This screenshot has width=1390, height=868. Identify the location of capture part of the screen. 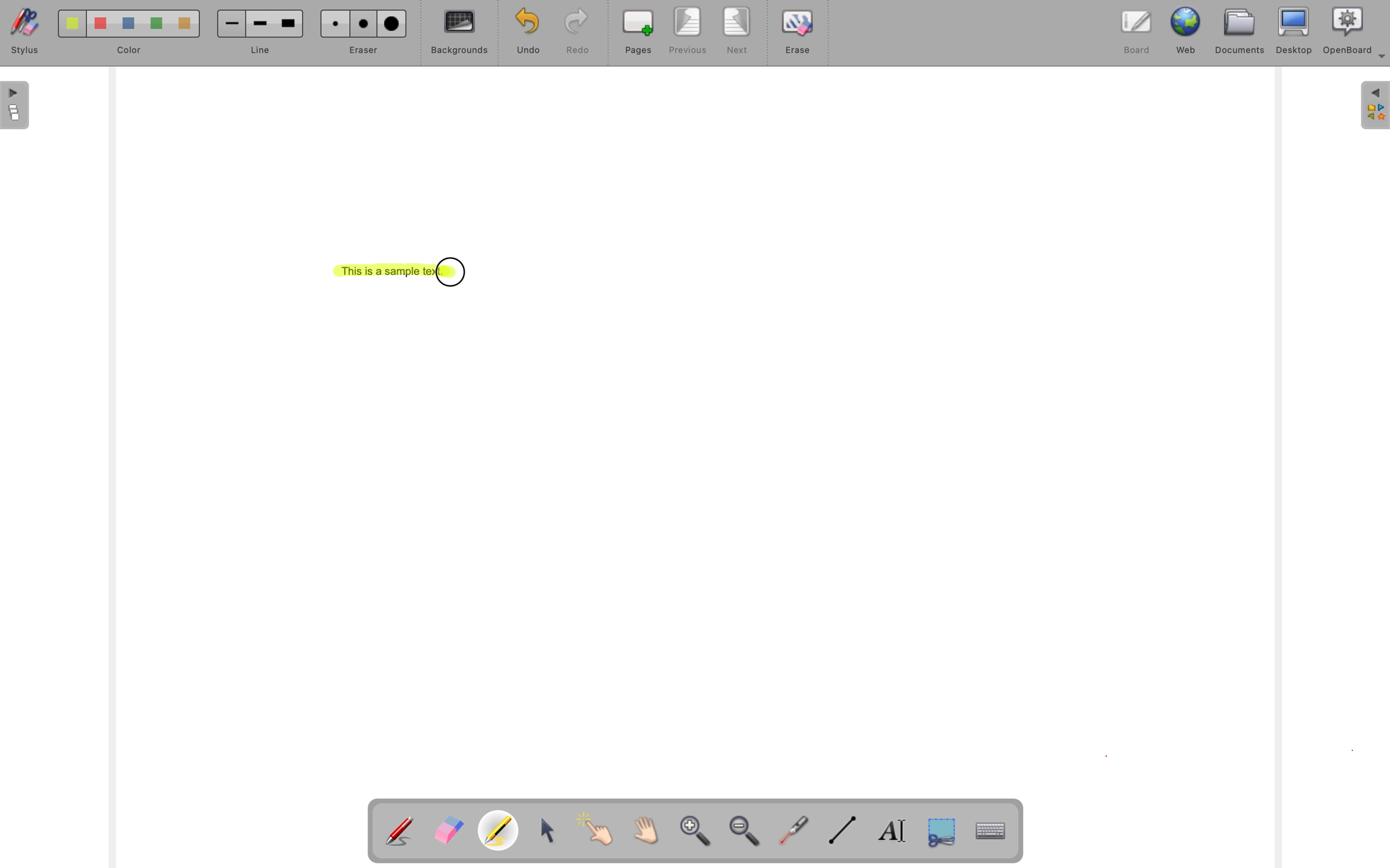
(941, 831).